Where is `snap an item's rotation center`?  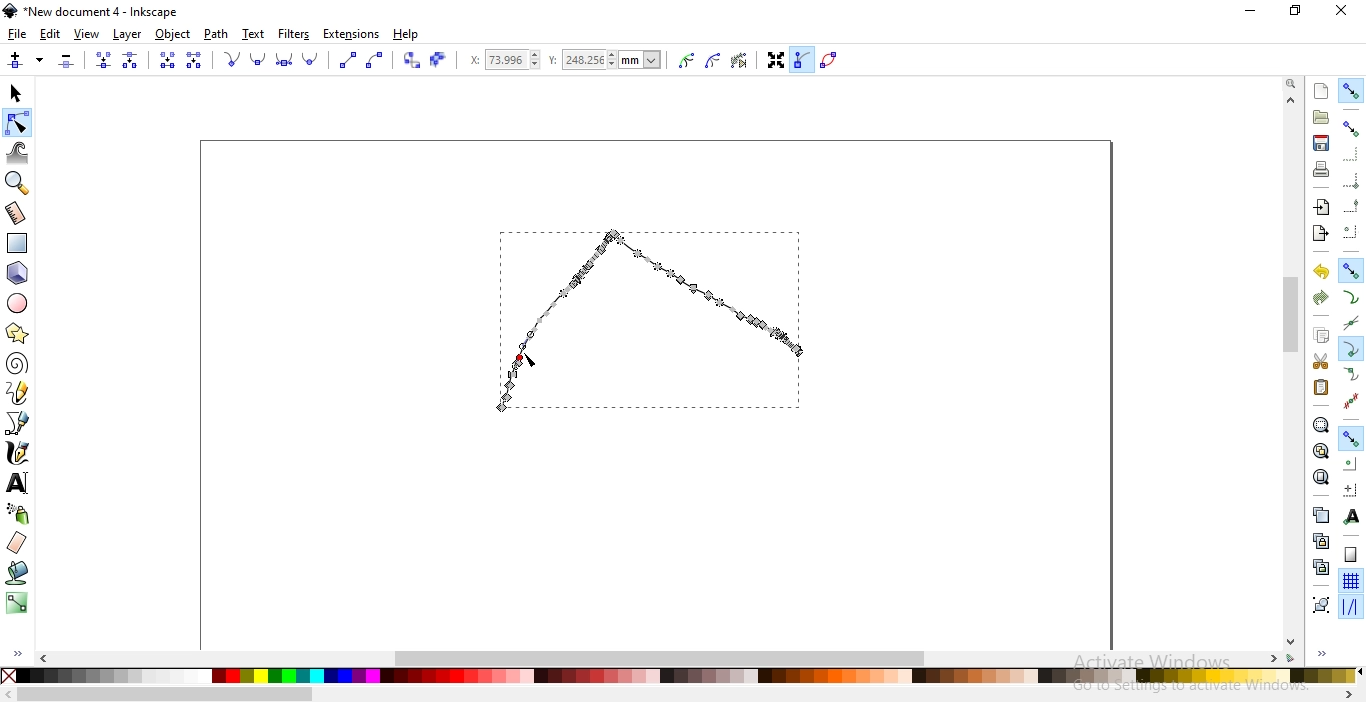
snap an item's rotation center is located at coordinates (1350, 489).